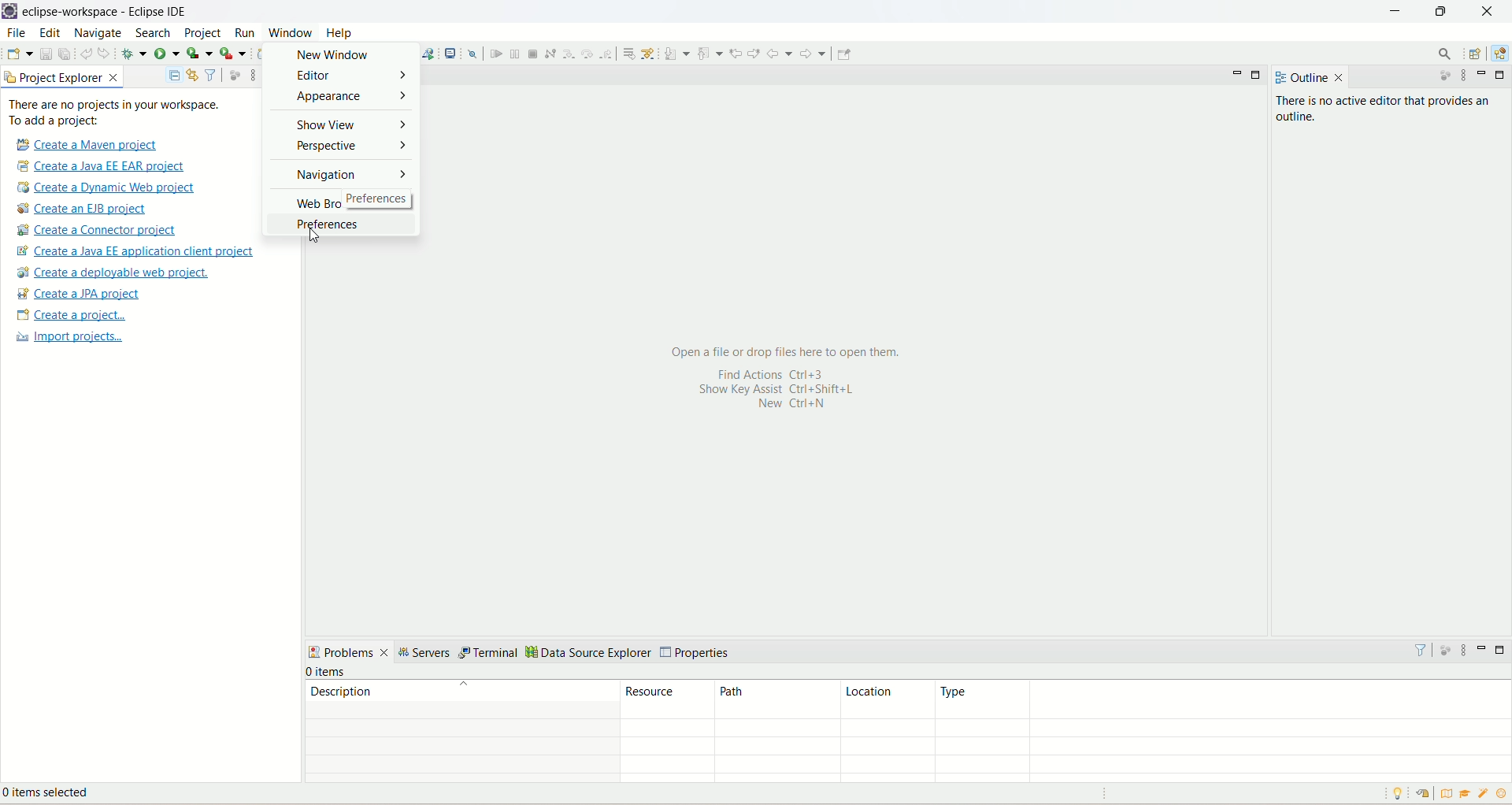 The height and width of the screenshot is (805, 1512). What do you see at coordinates (1487, 11) in the screenshot?
I see `close` at bounding box center [1487, 11].